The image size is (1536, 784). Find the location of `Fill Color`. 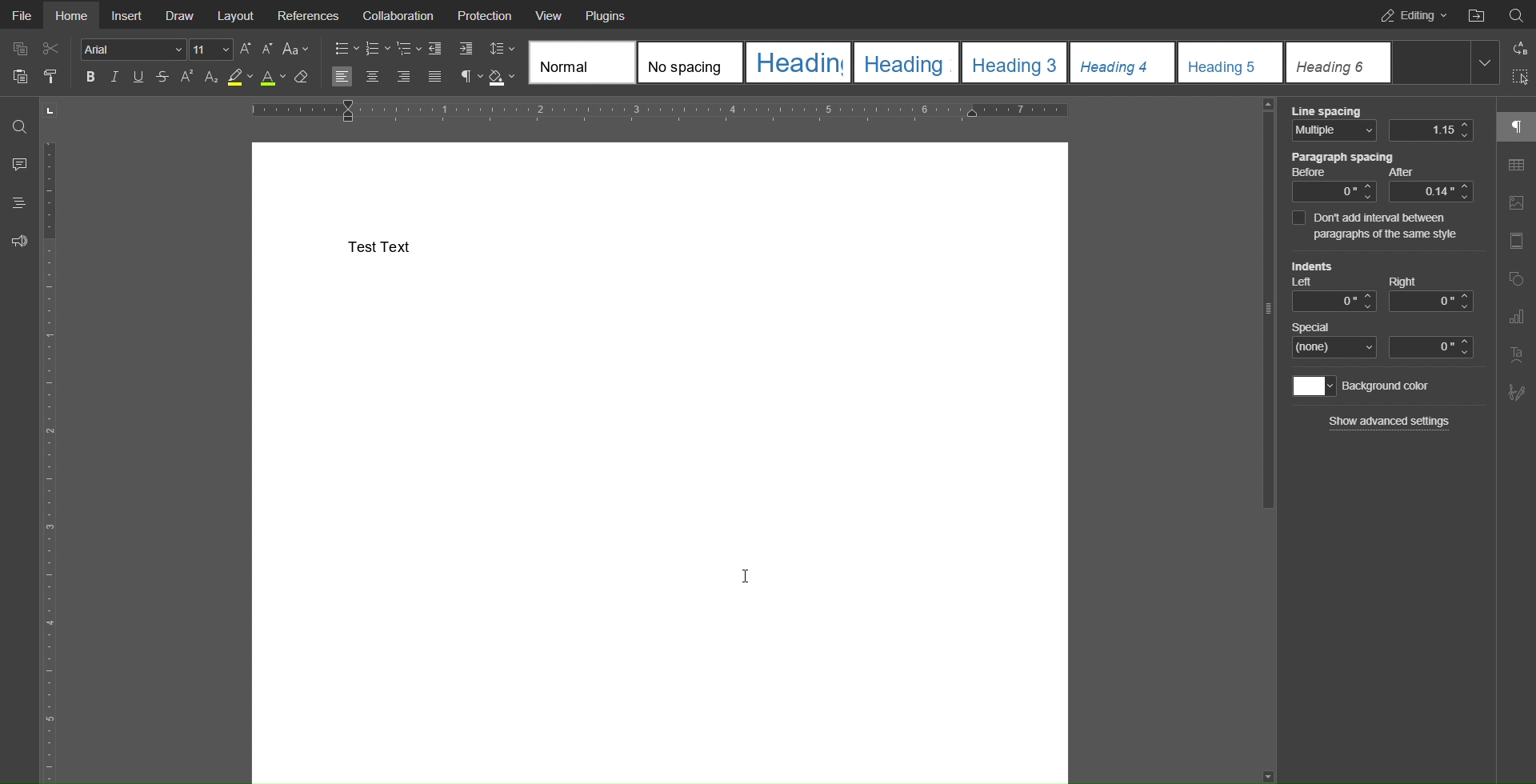

Fill Color is located at coordinates (502, 78).